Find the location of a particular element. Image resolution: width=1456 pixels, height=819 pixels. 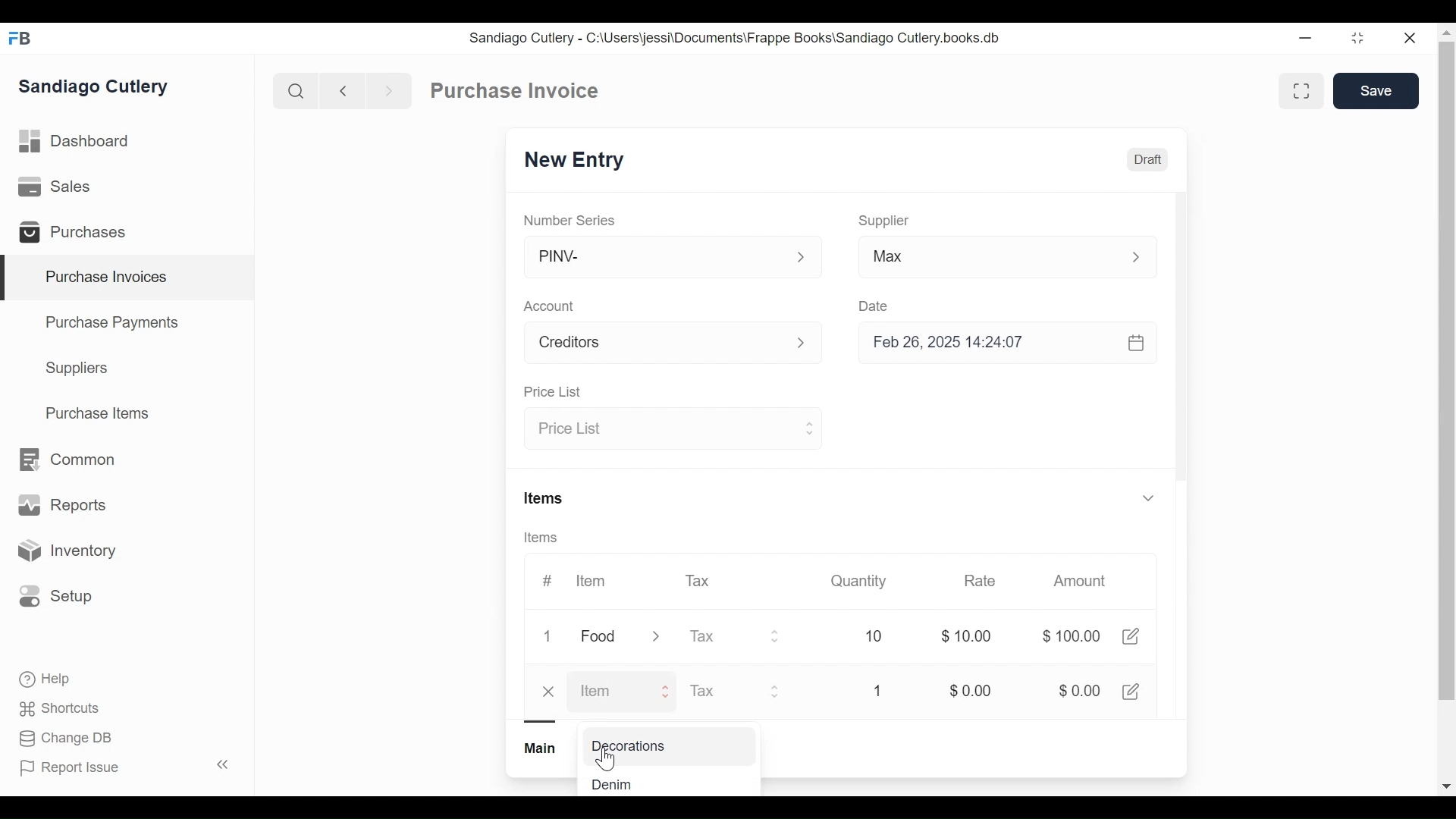

Navigate forward is located at coordinates (388, 89).